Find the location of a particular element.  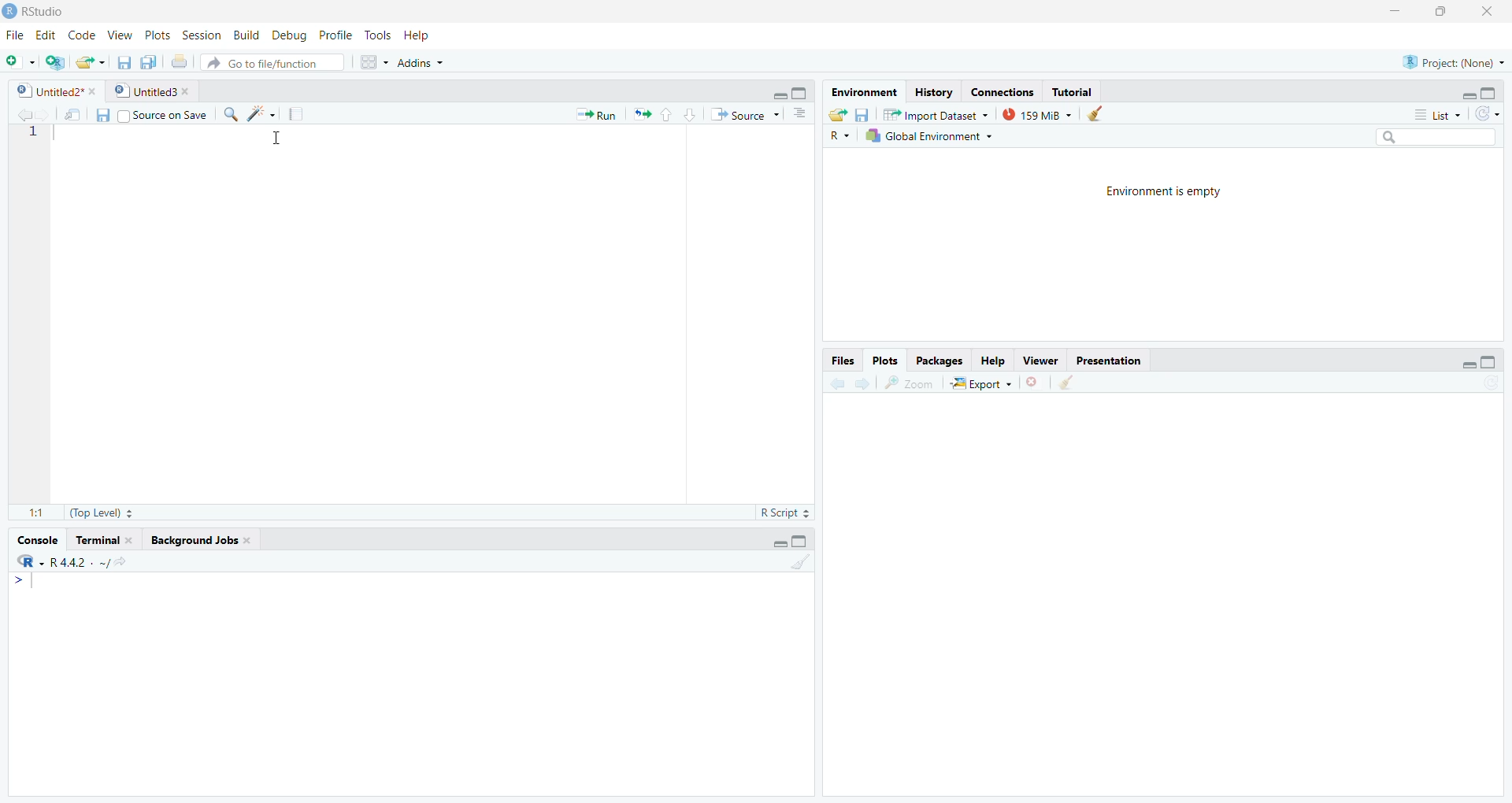

Save is located at coordinates (102, 114).